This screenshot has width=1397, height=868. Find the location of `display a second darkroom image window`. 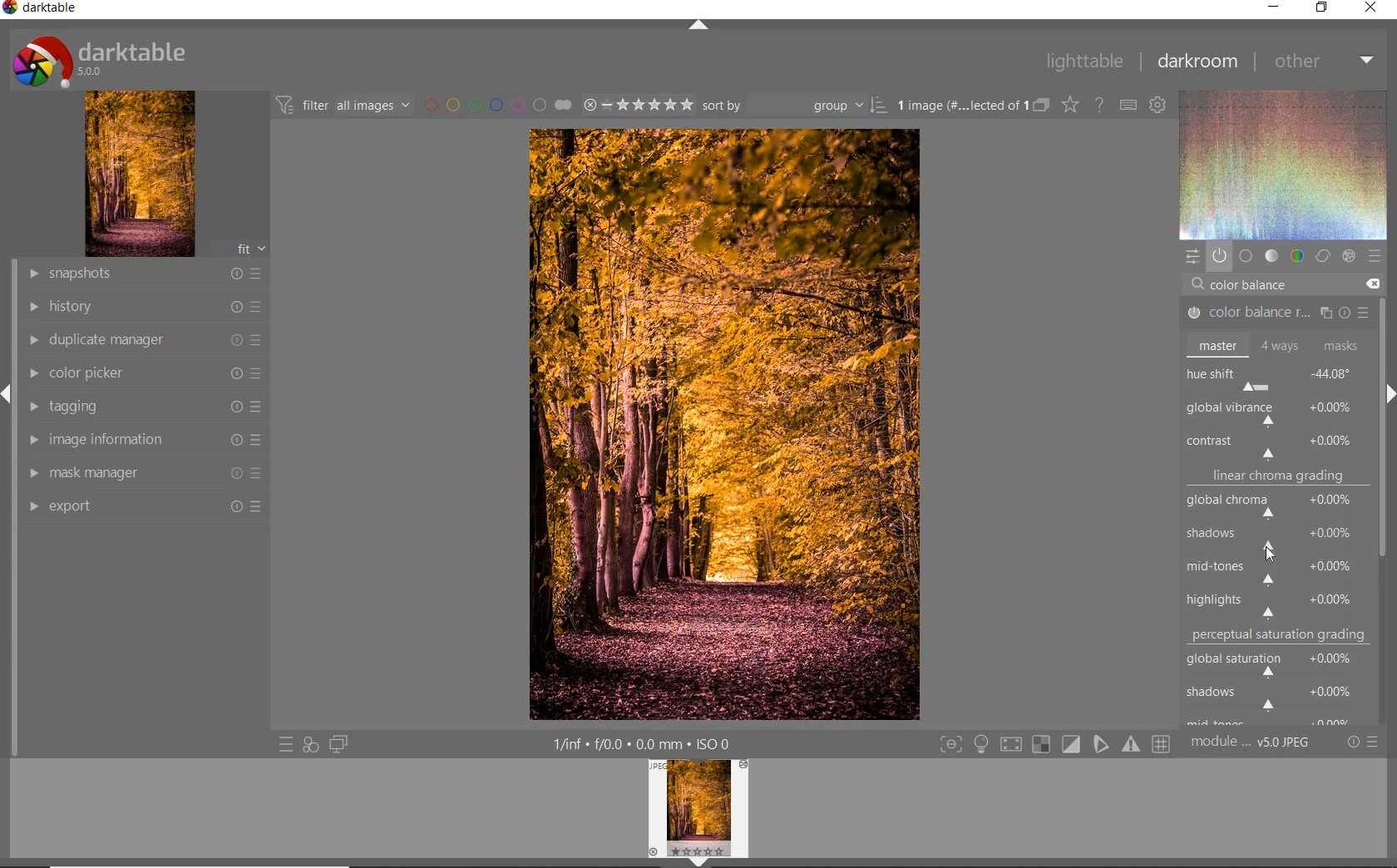

display a second darkroom image window is located at coordinates (335, 744).